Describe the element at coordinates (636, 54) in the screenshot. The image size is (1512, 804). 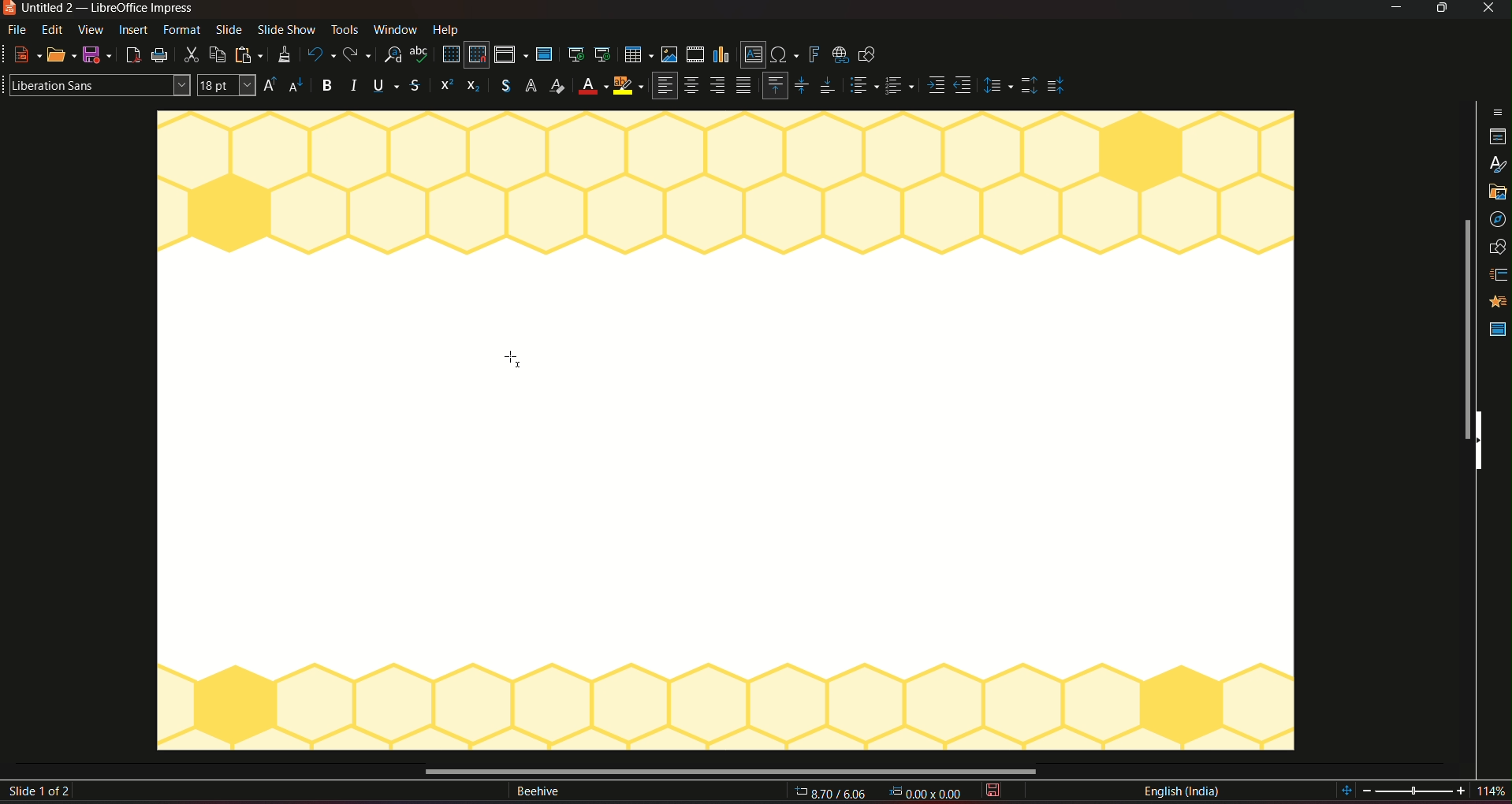
I see `insert table` at that location.